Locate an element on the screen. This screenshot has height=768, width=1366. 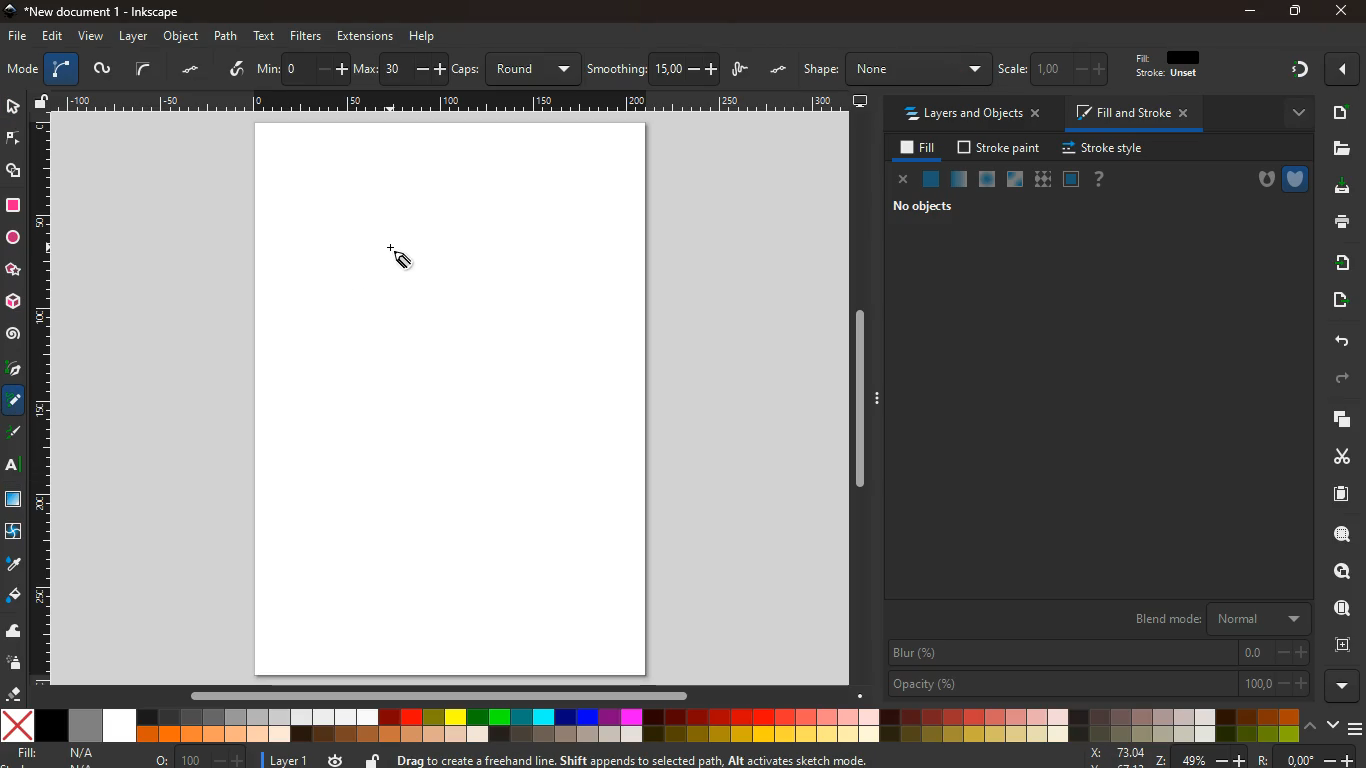
layer is located at coordinates (290, 761).